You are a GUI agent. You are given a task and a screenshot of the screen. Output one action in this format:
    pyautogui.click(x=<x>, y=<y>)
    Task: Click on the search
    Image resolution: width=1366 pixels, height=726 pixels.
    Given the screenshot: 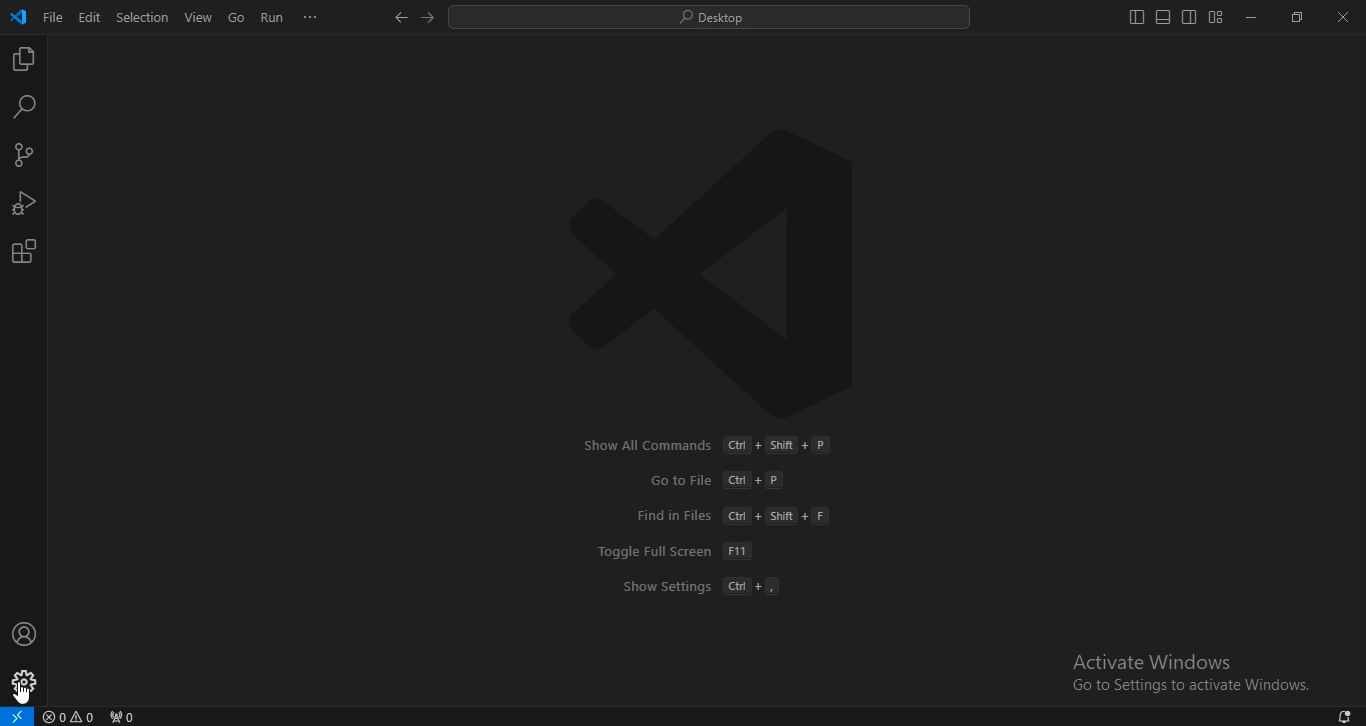 What is the action you would take?
    pyautogui.click(x=714, y=19)
    